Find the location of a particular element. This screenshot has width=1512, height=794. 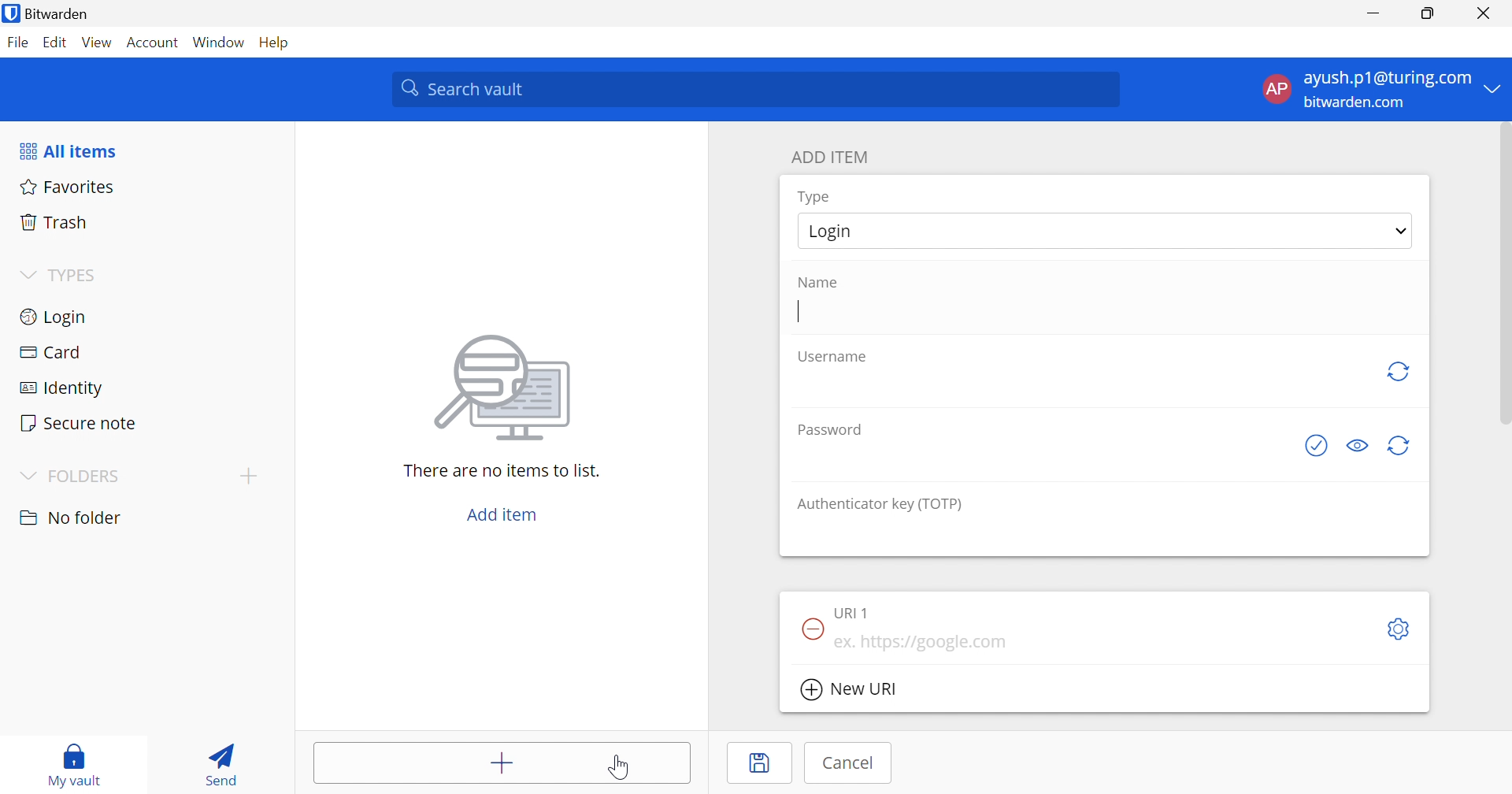

Send is located at coordinates (217, 761).